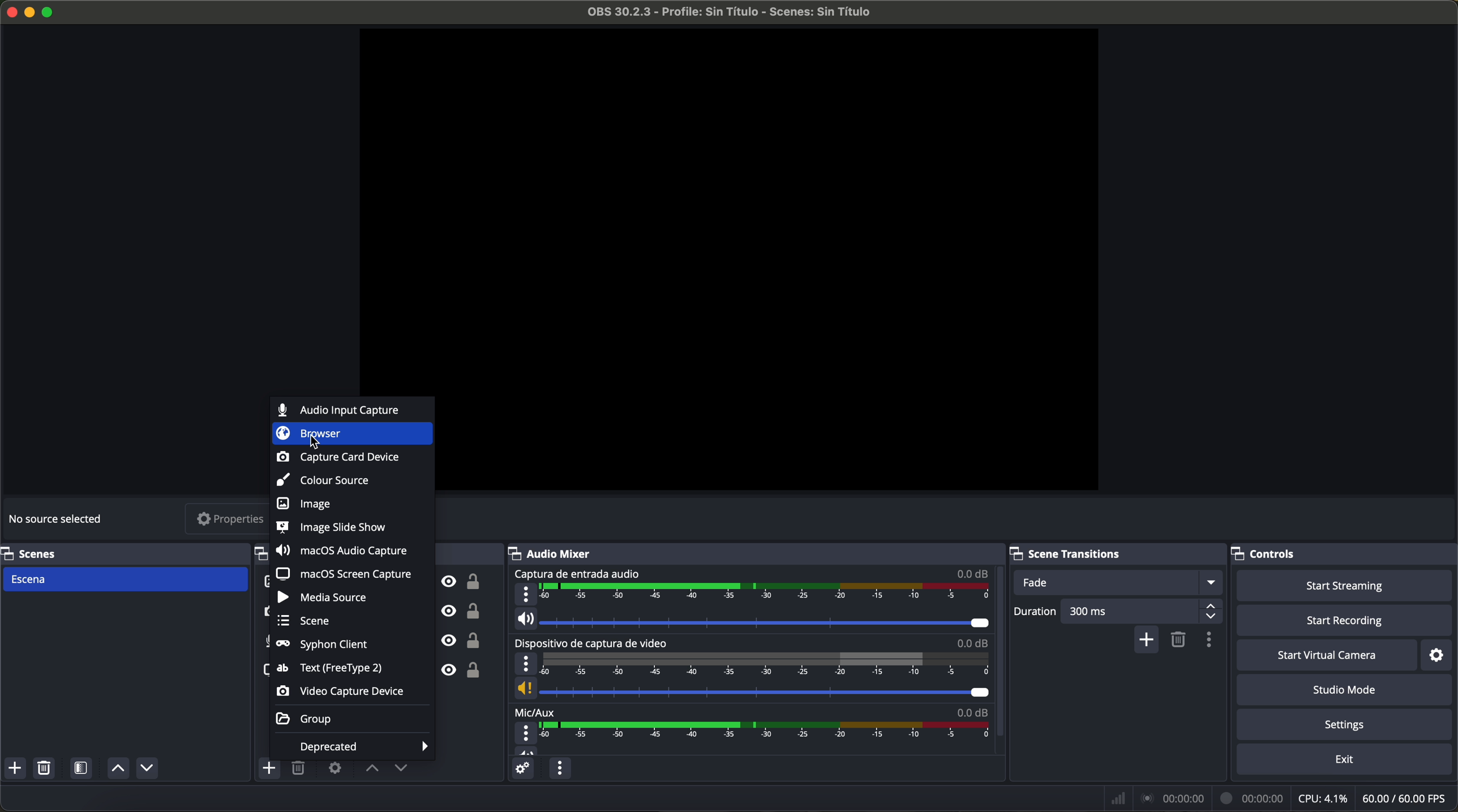  What do you see at coordinates (147, 768) in the screenshot?
I see `move sources down` at bounding box center [147, 768].